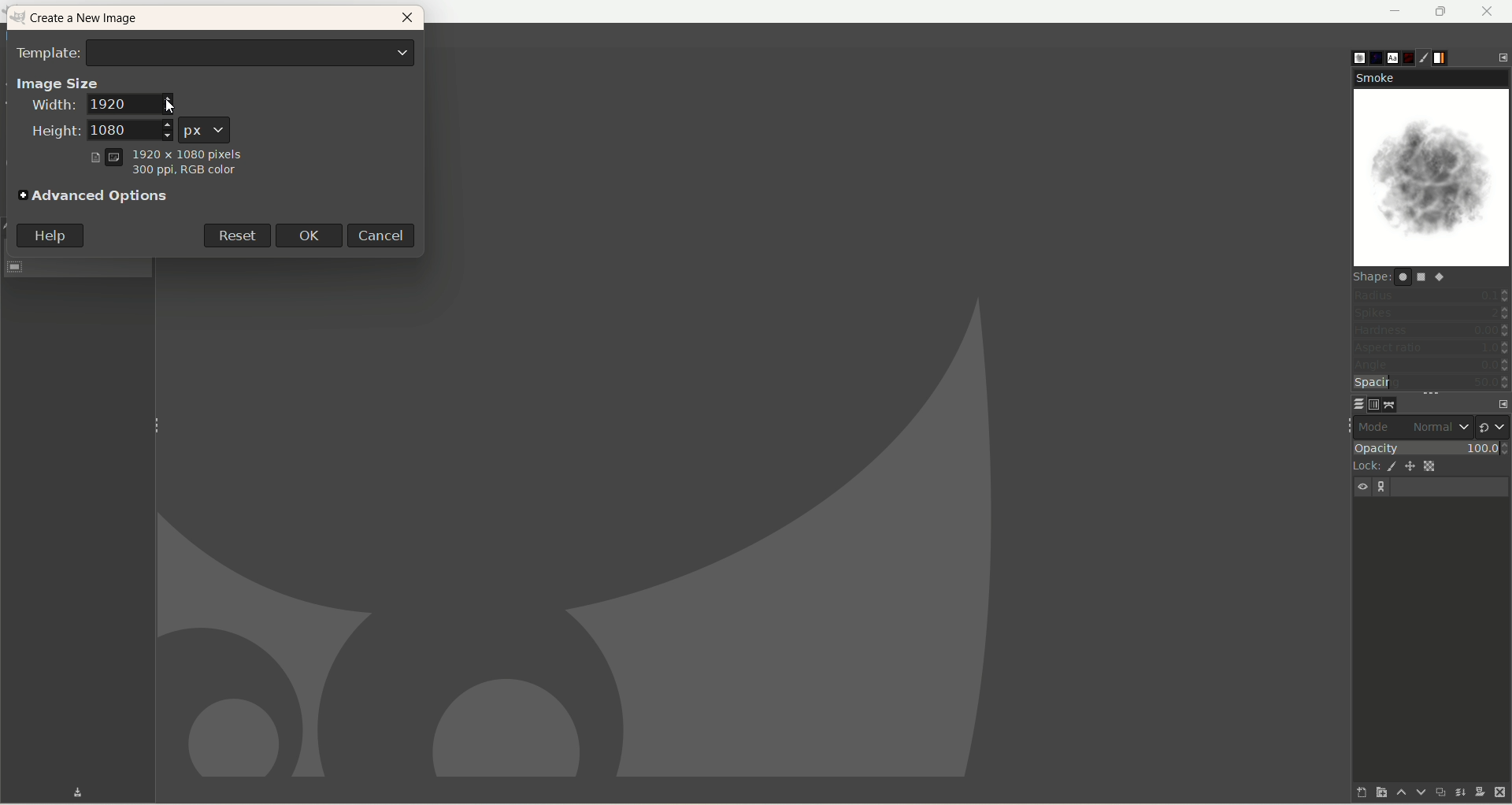 The width and height of the screenshot is (1512, 805). Describe the element at coordinates (20, 18) in the screenshot. I see `logo` at that location.